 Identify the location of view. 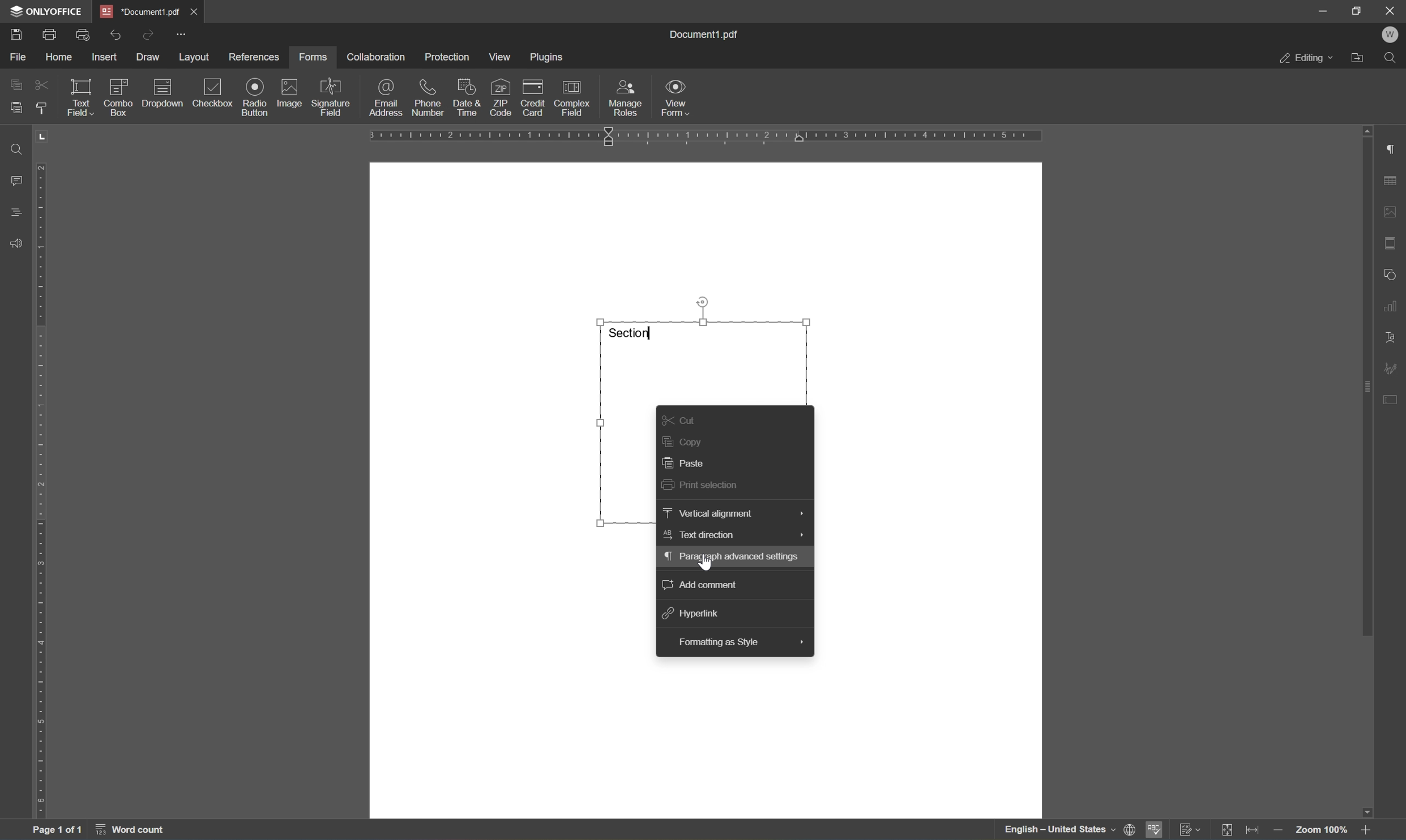
(503, 57).